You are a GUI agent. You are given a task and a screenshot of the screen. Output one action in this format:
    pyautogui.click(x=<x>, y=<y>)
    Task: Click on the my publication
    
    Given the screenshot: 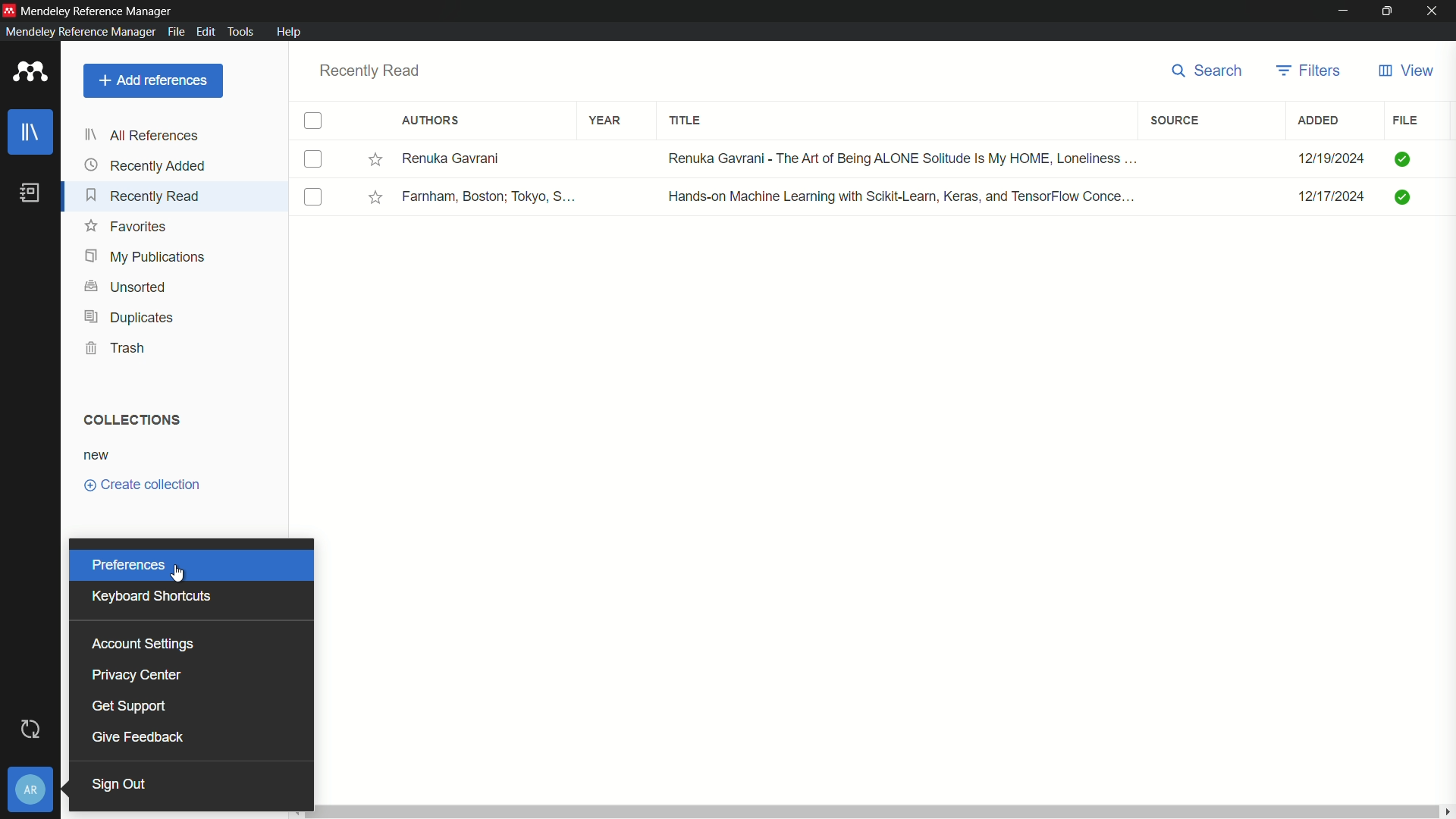 What is the action you would take?
    pyautogui.click(x=141, y=256)
    